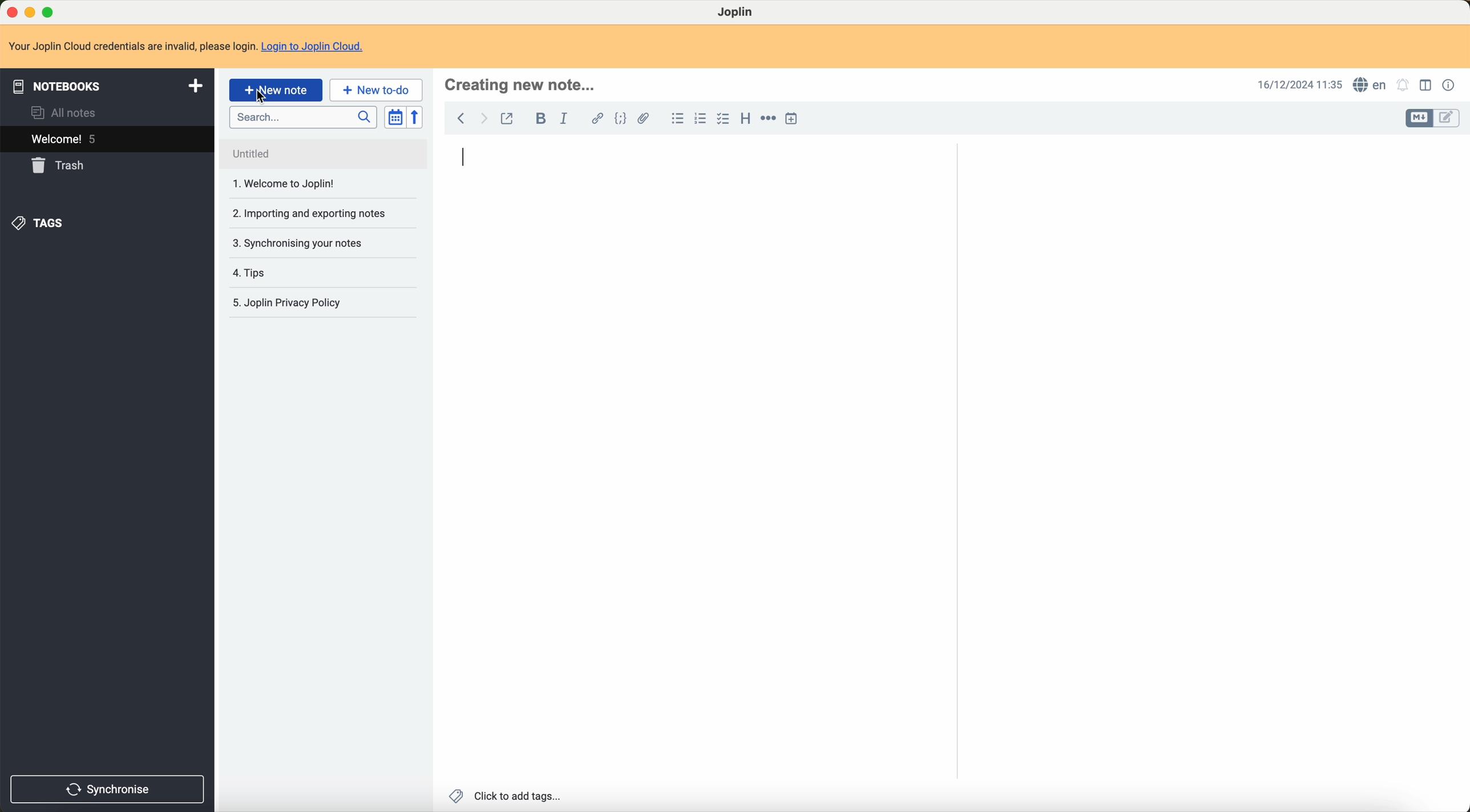  I want to click on Your Joplin Cloud credentials are invalid, please login., so click(131, 45).